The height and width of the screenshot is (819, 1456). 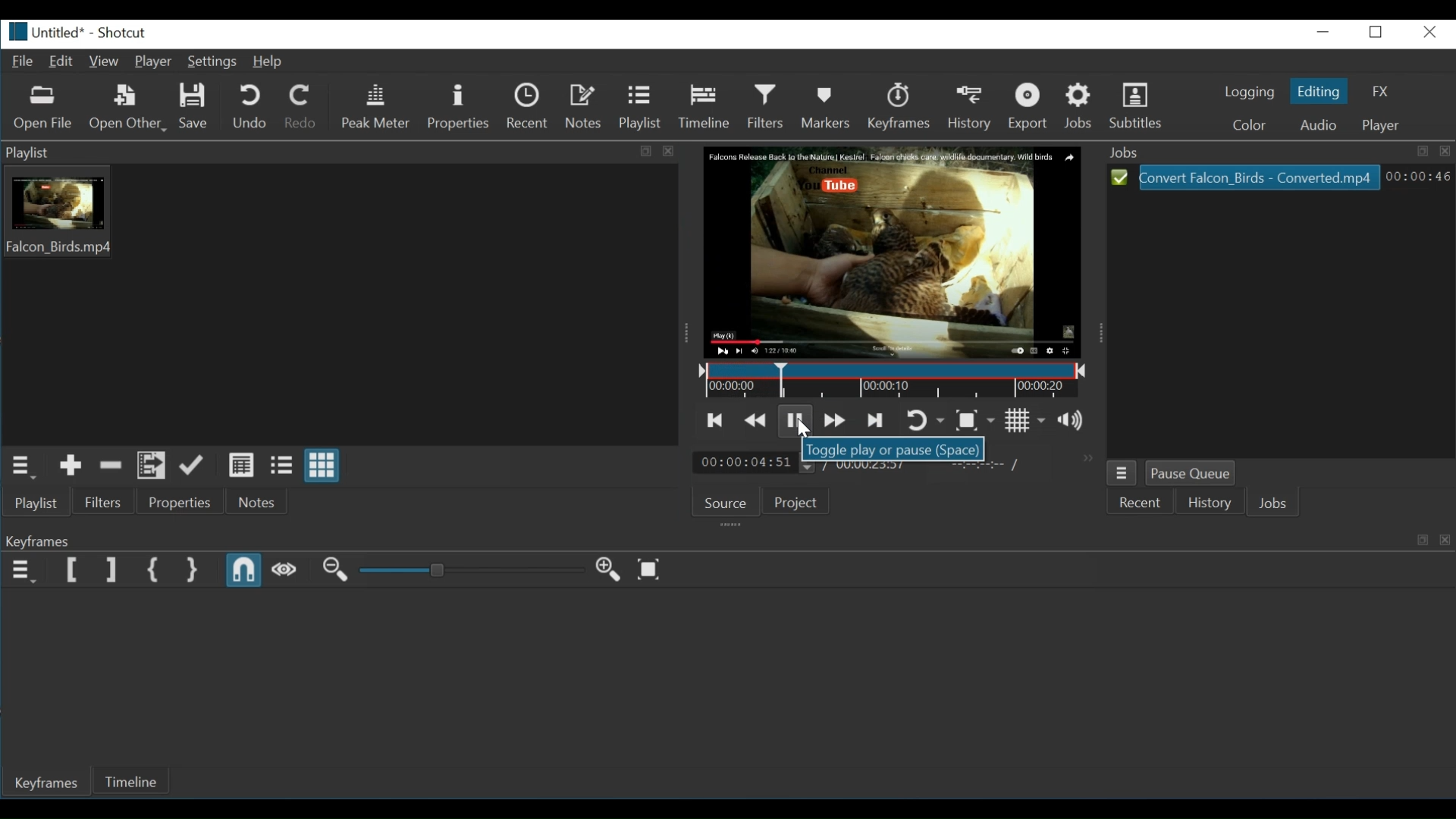 I want to click on Set Filter first, so click(x=70, y=571).